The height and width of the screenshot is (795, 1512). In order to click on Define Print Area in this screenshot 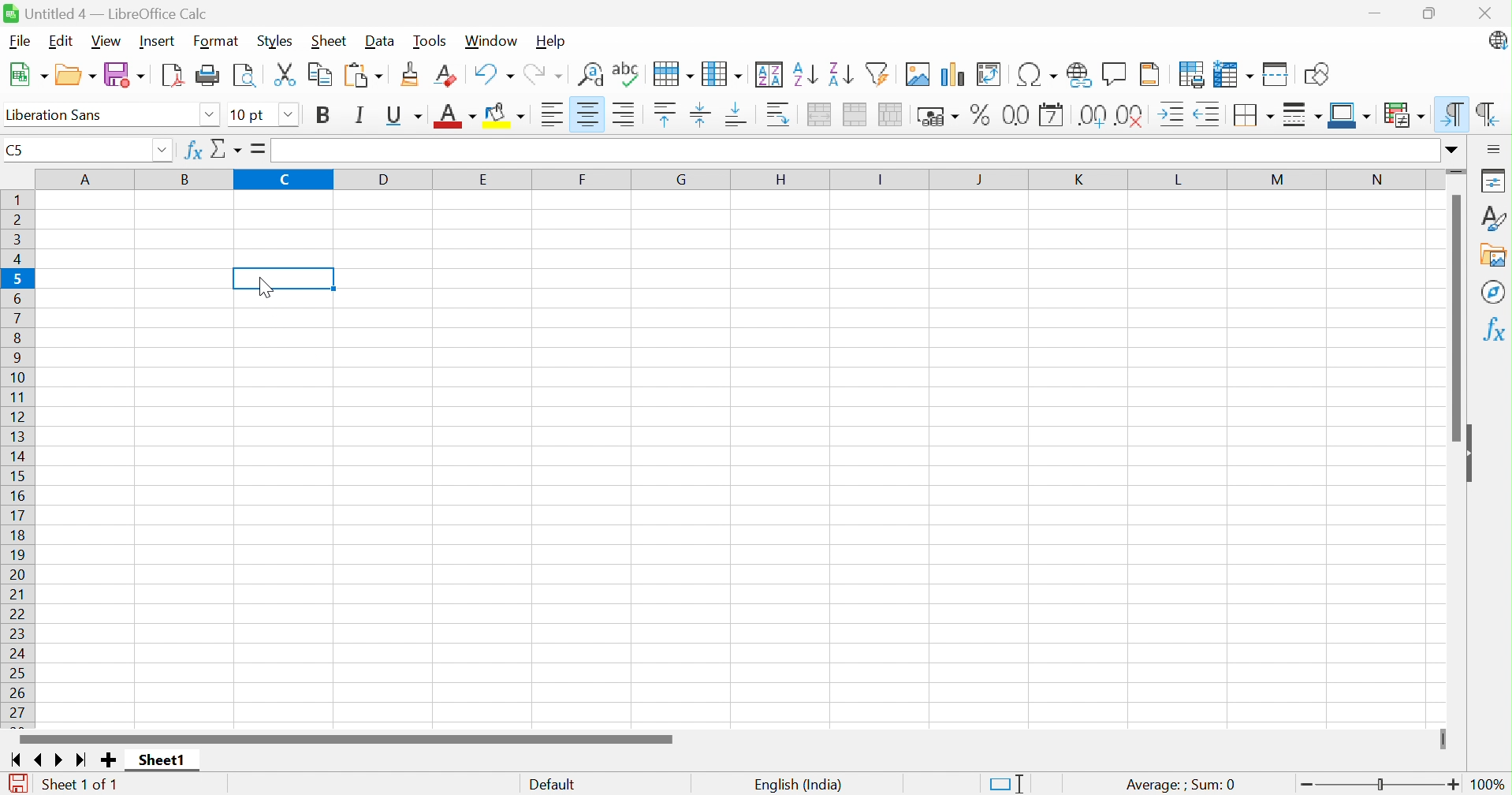, I will do `click(1191, 74)`.